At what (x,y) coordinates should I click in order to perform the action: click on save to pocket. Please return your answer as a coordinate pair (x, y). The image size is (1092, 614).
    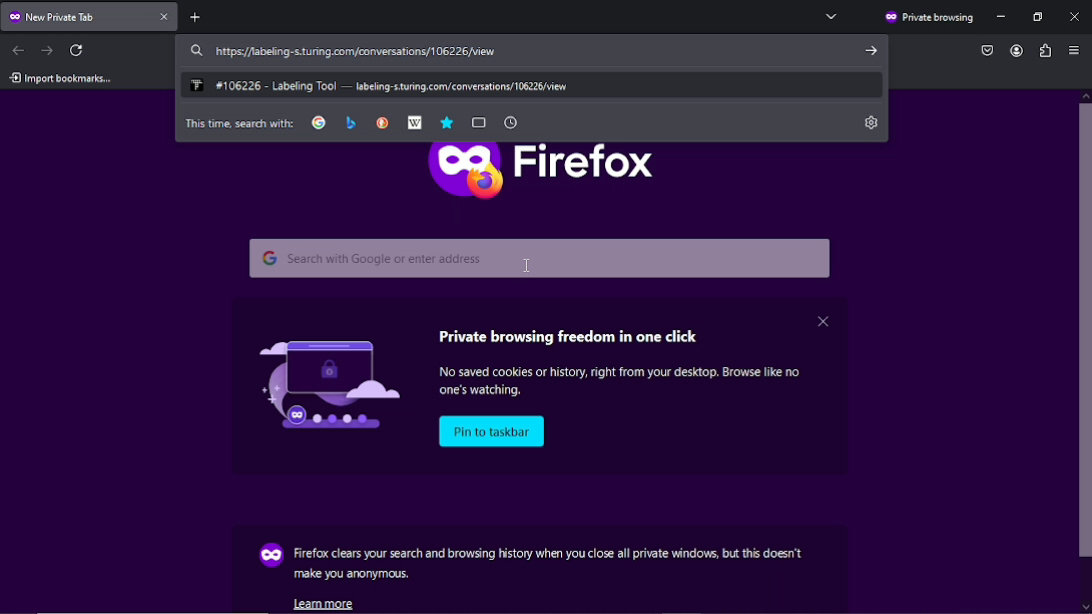
    Looking at the image, I should click on (987, 49).